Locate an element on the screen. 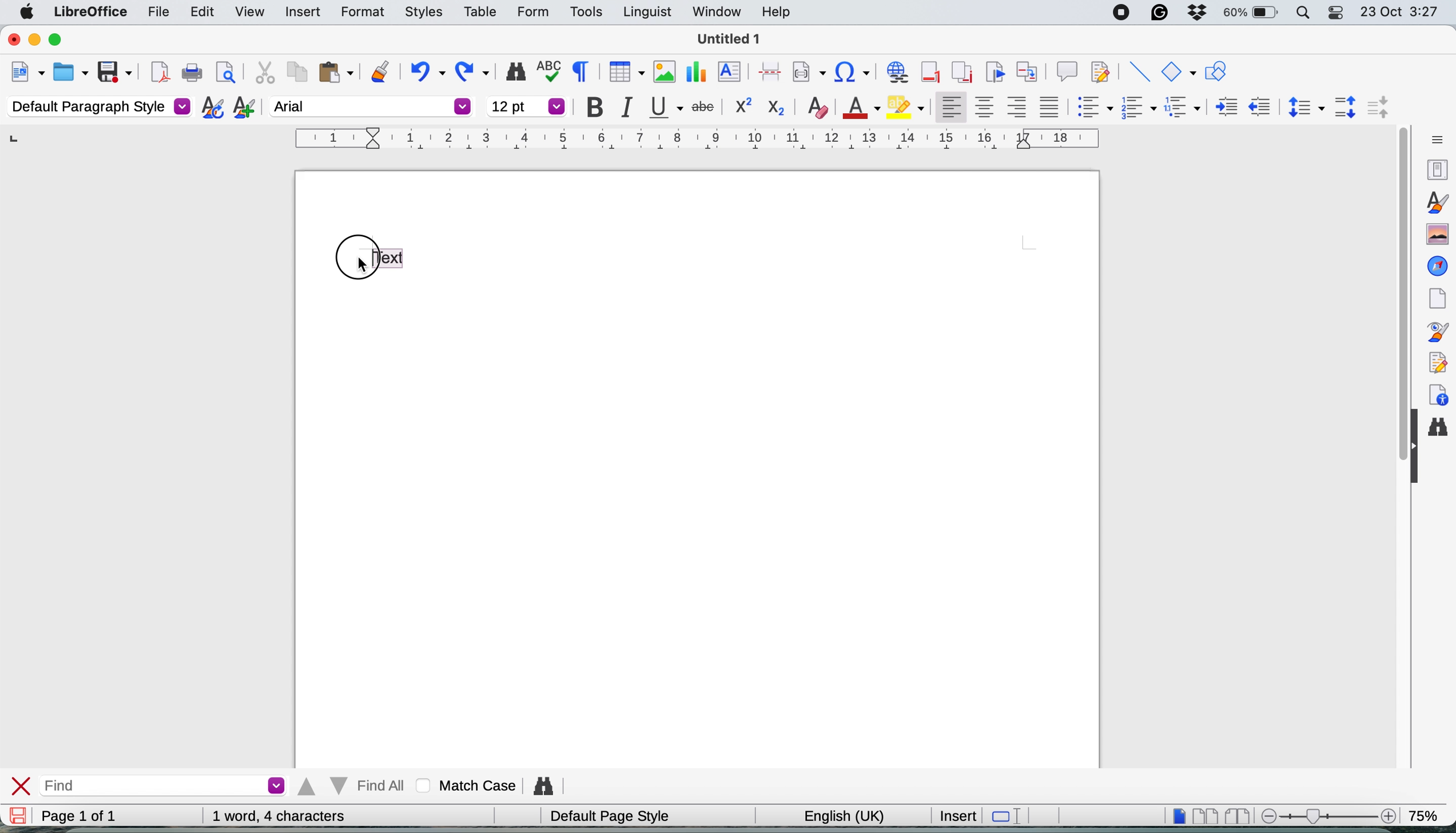 This screenshot has height=833, width=1456. insert is located at coordinates (299, 10).